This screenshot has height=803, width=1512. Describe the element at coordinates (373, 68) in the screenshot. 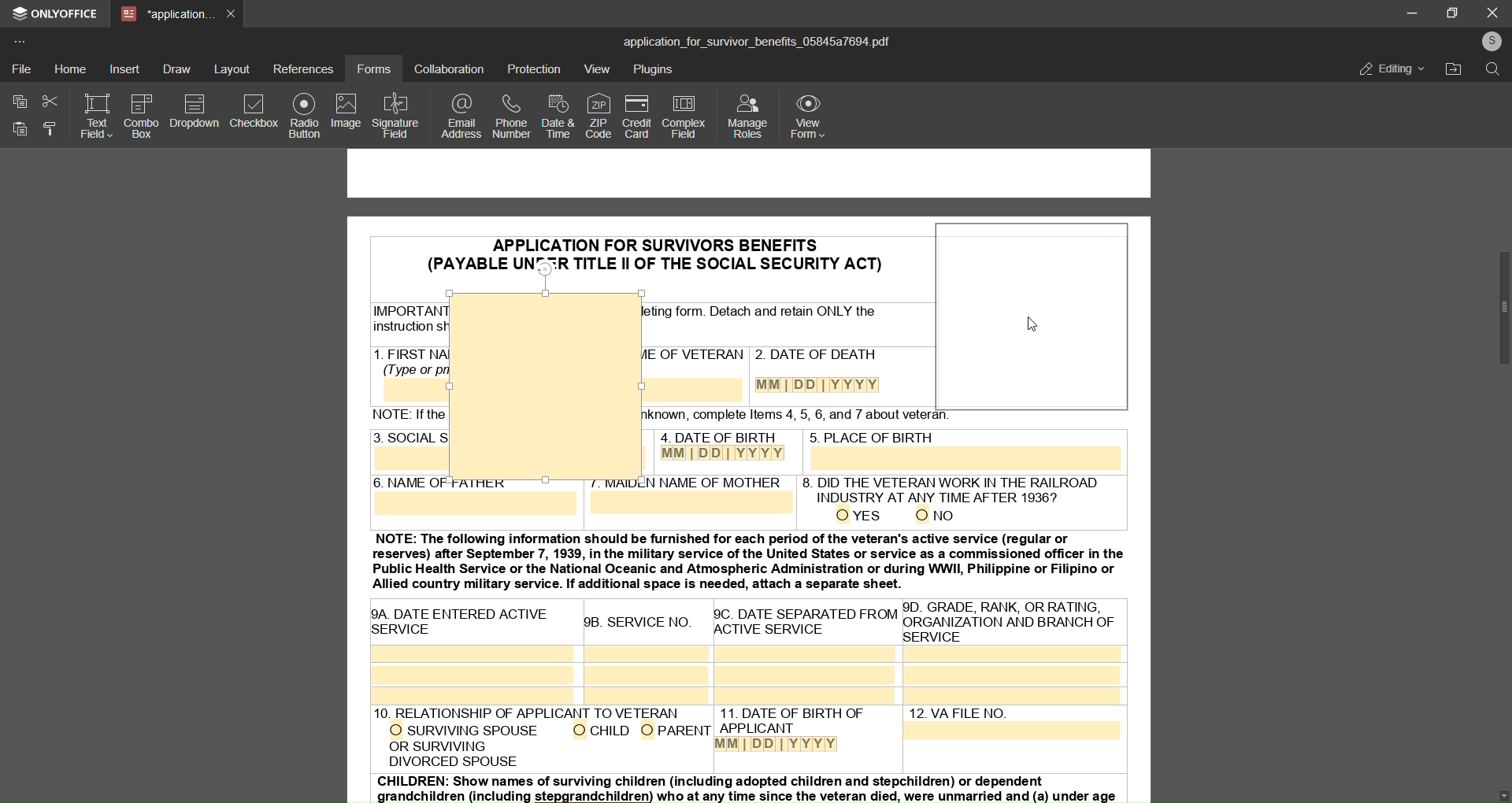

I see `forms` at that location.